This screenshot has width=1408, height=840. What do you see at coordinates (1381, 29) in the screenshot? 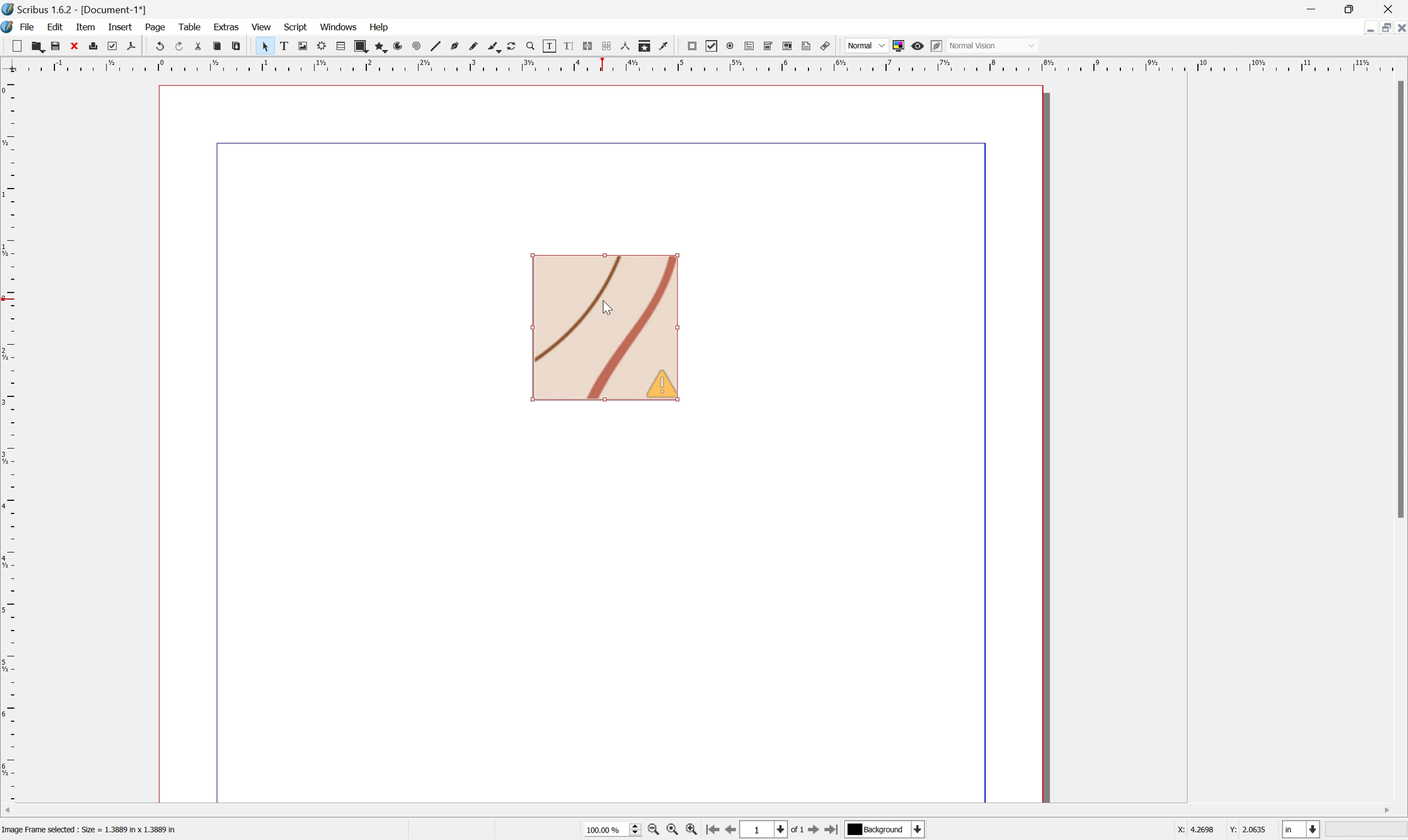
I see `Restore down` at bounding box center [1381, 29].